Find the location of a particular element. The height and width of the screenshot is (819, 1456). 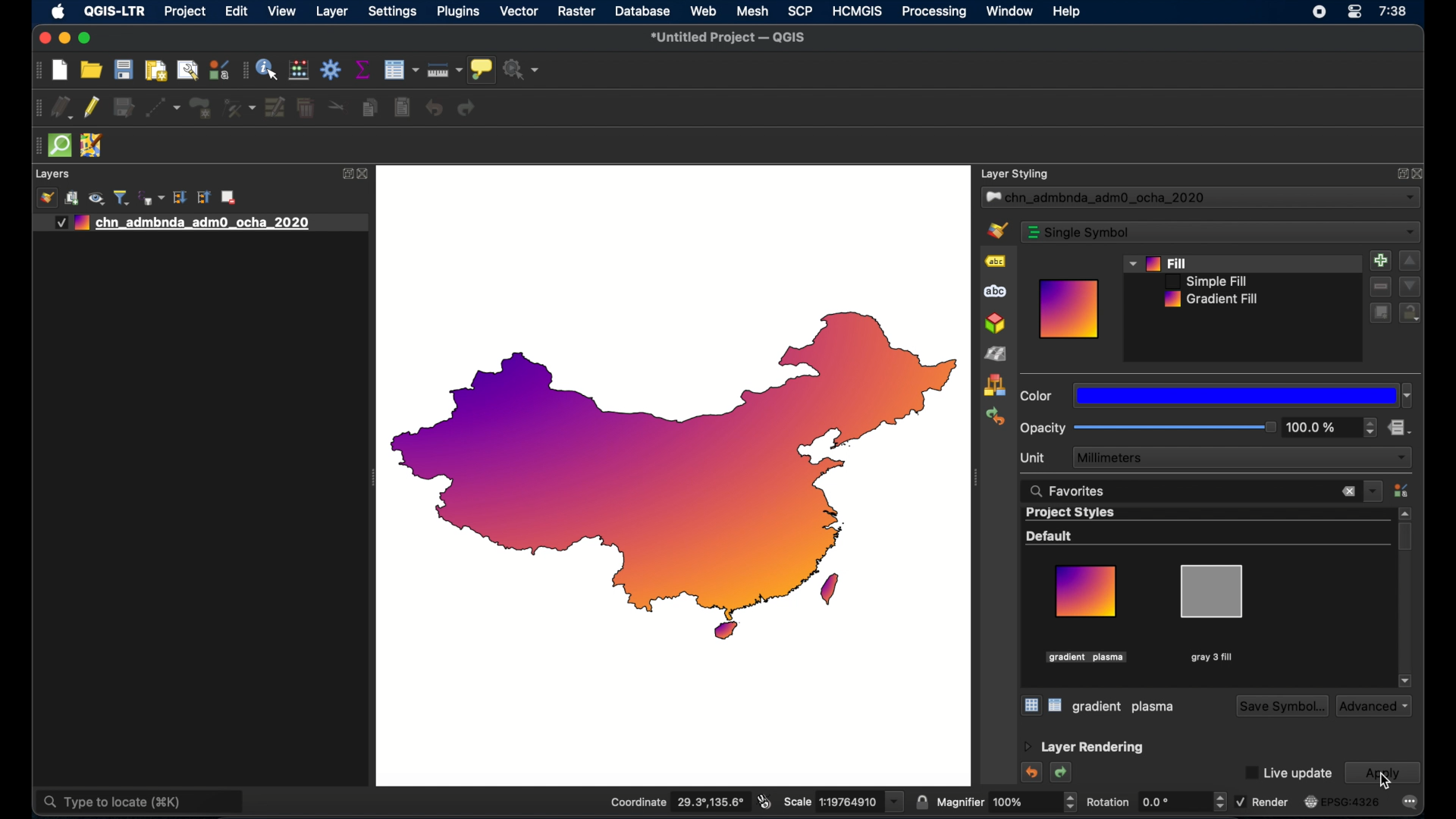

show map tips is located at coordinates (482, 69).